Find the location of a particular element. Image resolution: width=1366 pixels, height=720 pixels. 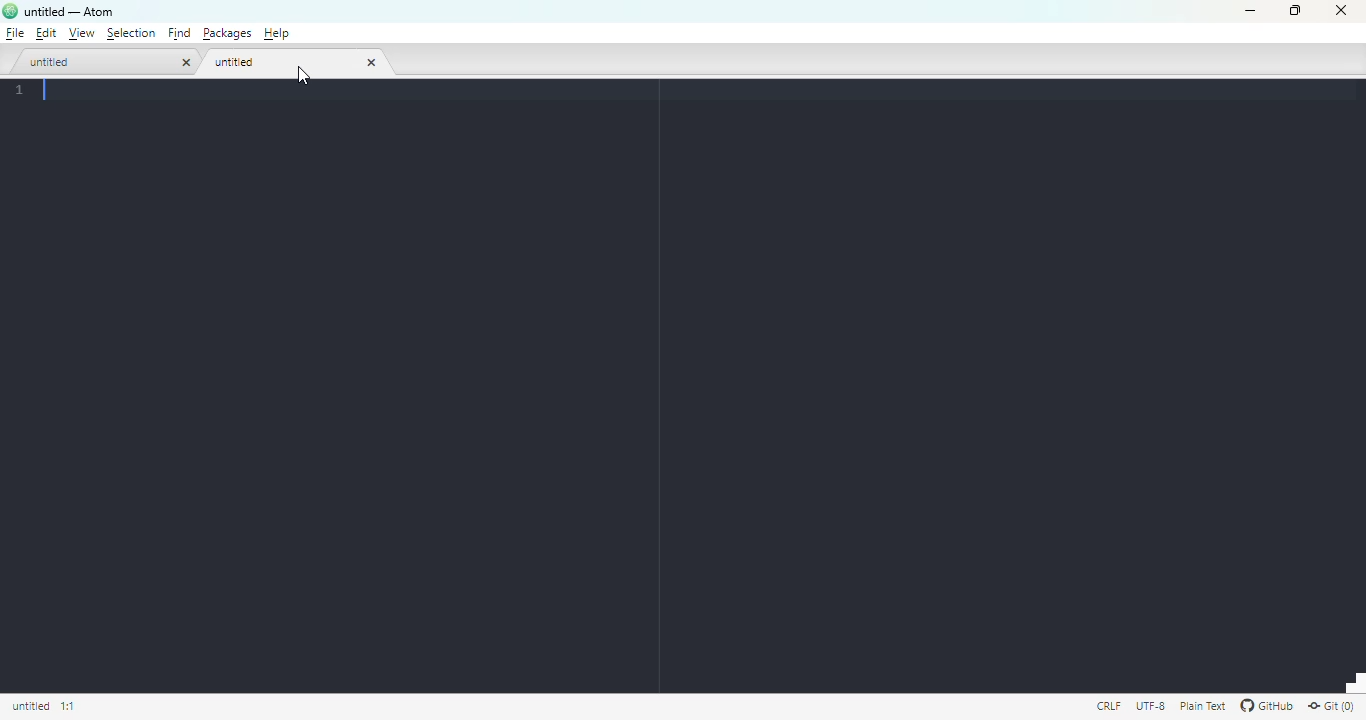

untitled — Atom is located at coordinates (62, 11).